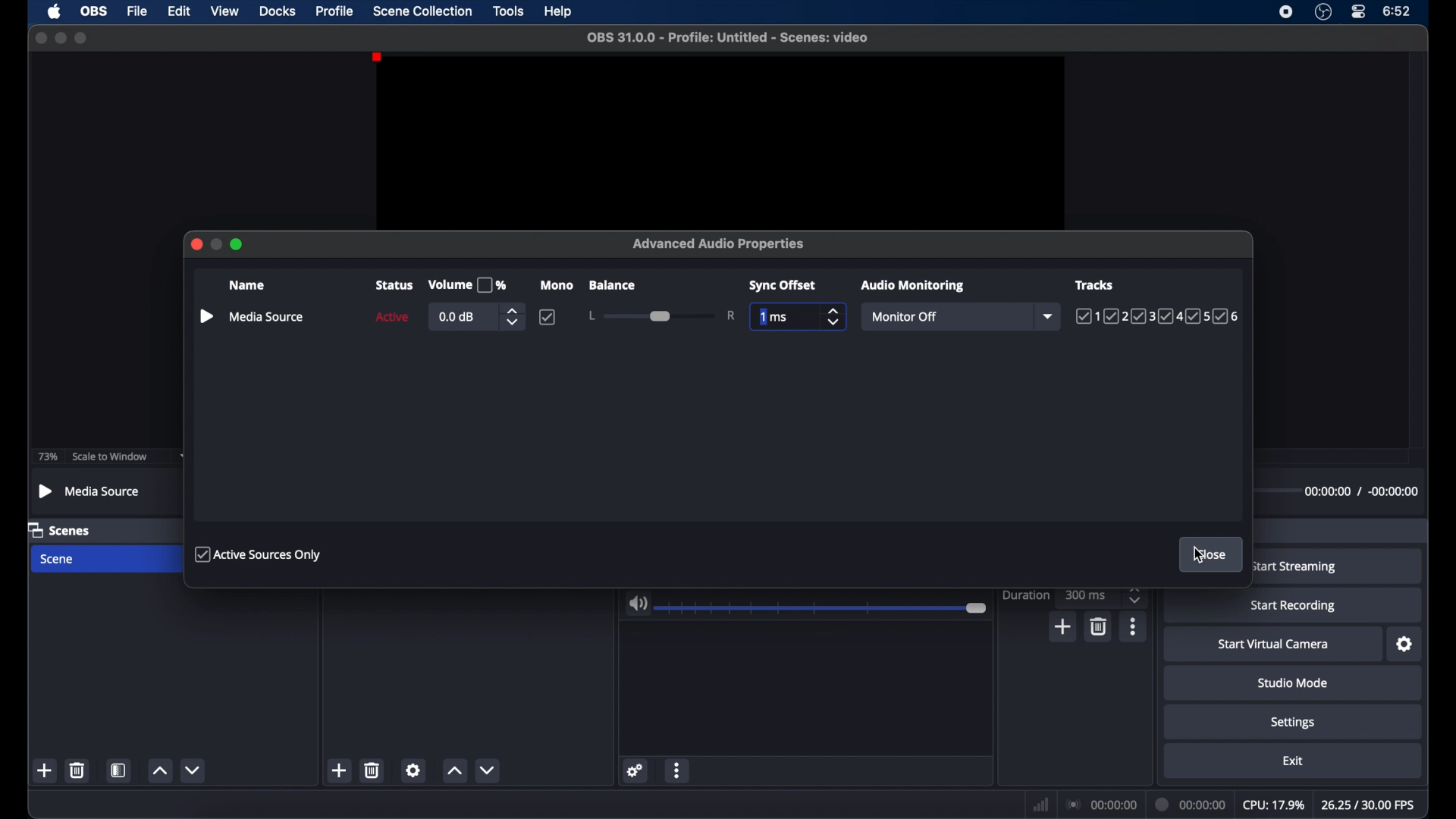 The width and height of the screenshot is (1456, 819). What do you see at coordinates (823, 608) in the screenshot?
I see `slider` at bounding box center [823, 608].